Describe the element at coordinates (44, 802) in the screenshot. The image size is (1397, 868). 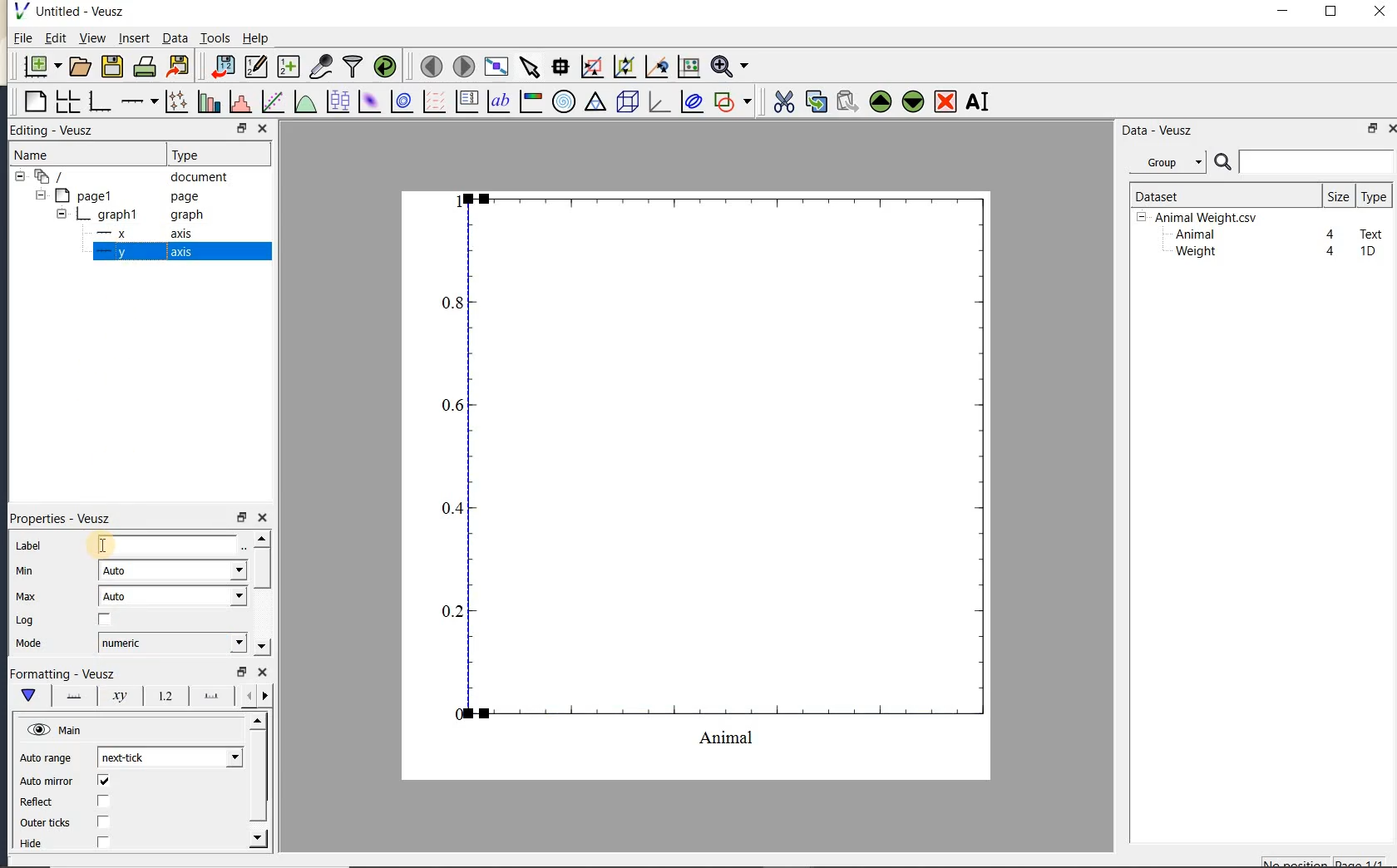
I see `Reflect` at that location.